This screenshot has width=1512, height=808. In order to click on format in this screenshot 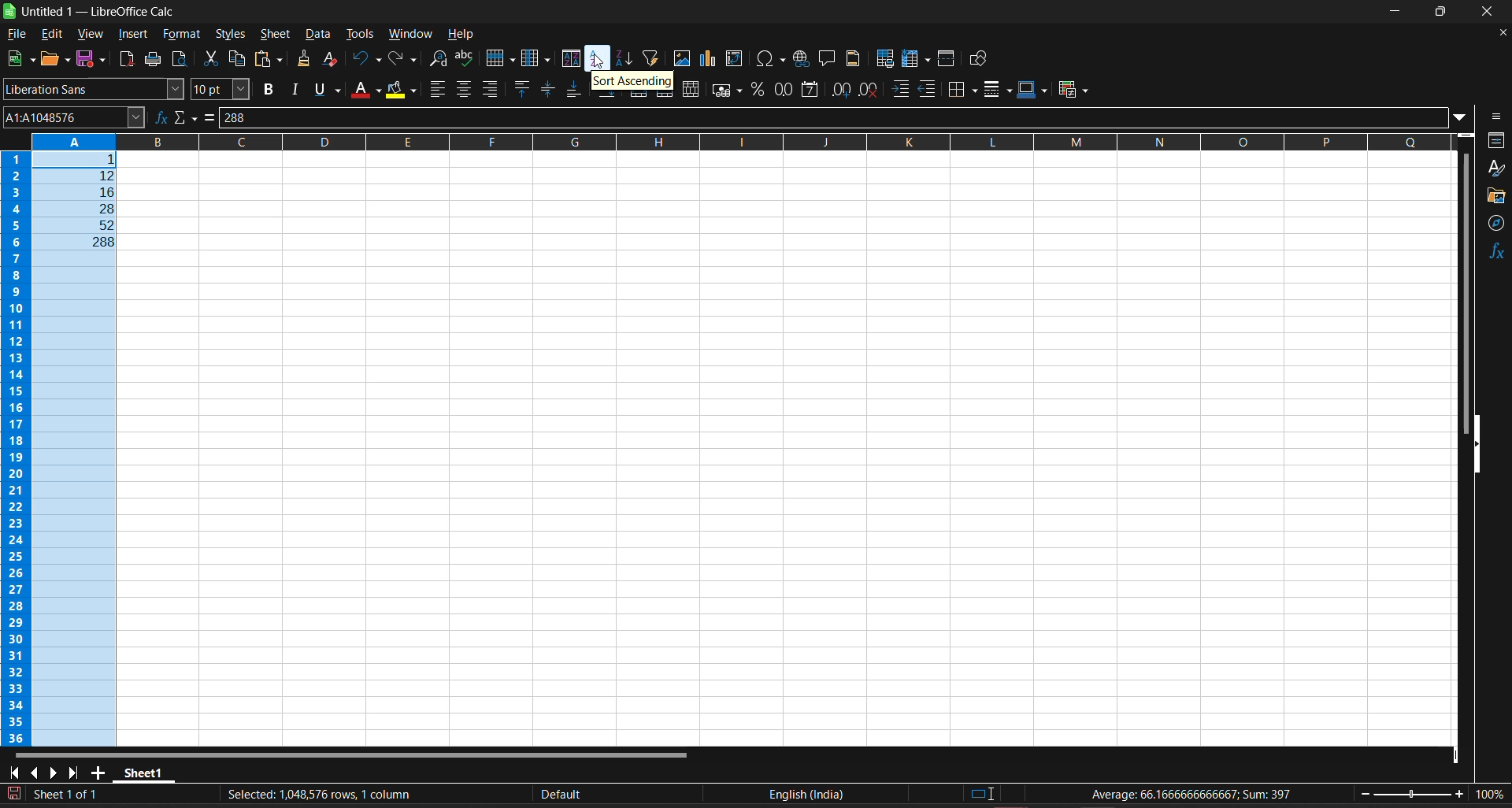, I will do `click(182, 34)`.